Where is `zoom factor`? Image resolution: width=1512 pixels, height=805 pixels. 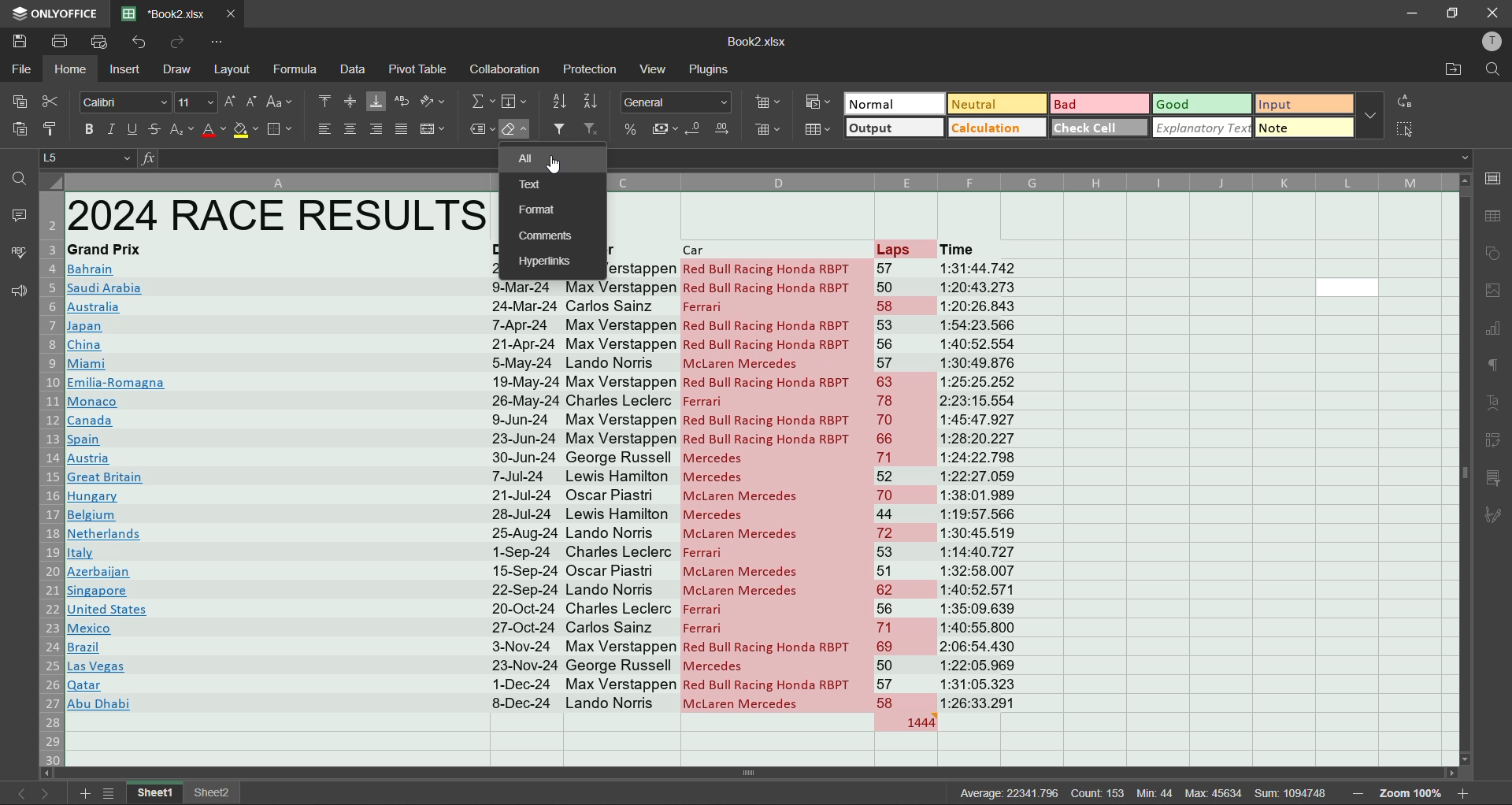
zoom factor is located at coordinates (1412, 793).